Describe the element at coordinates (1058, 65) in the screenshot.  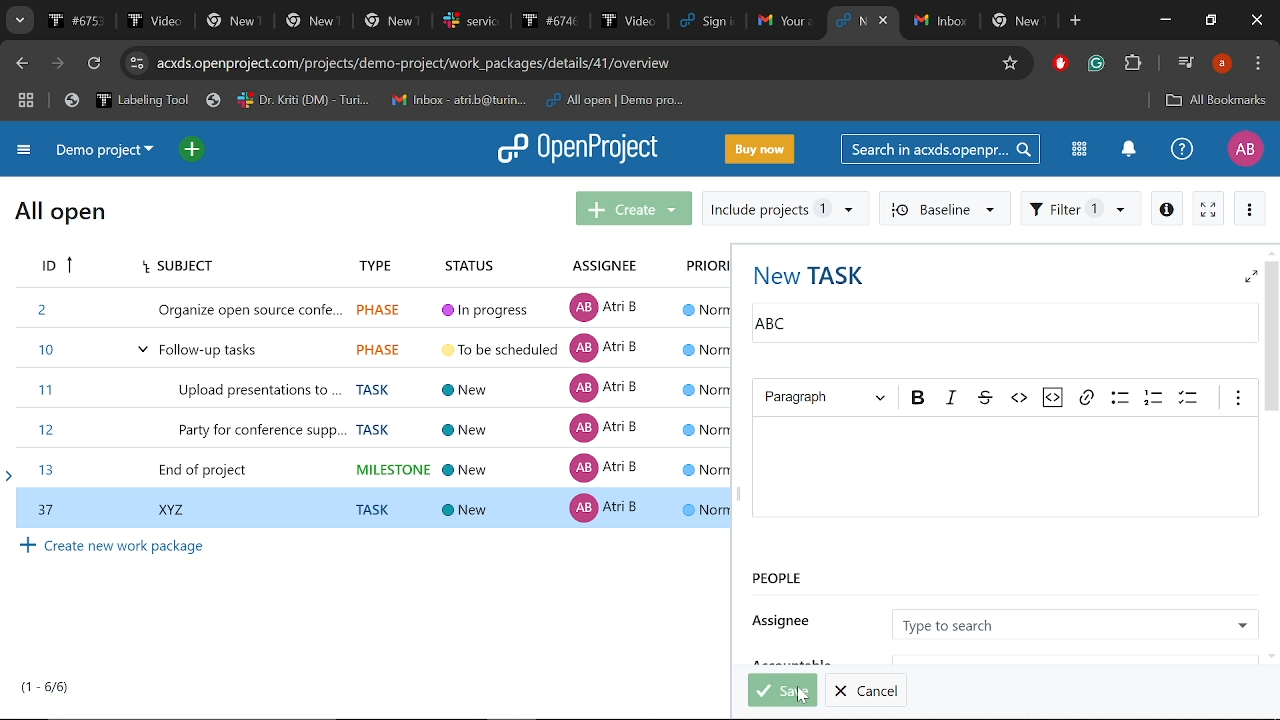
I see `Add block` at that location.